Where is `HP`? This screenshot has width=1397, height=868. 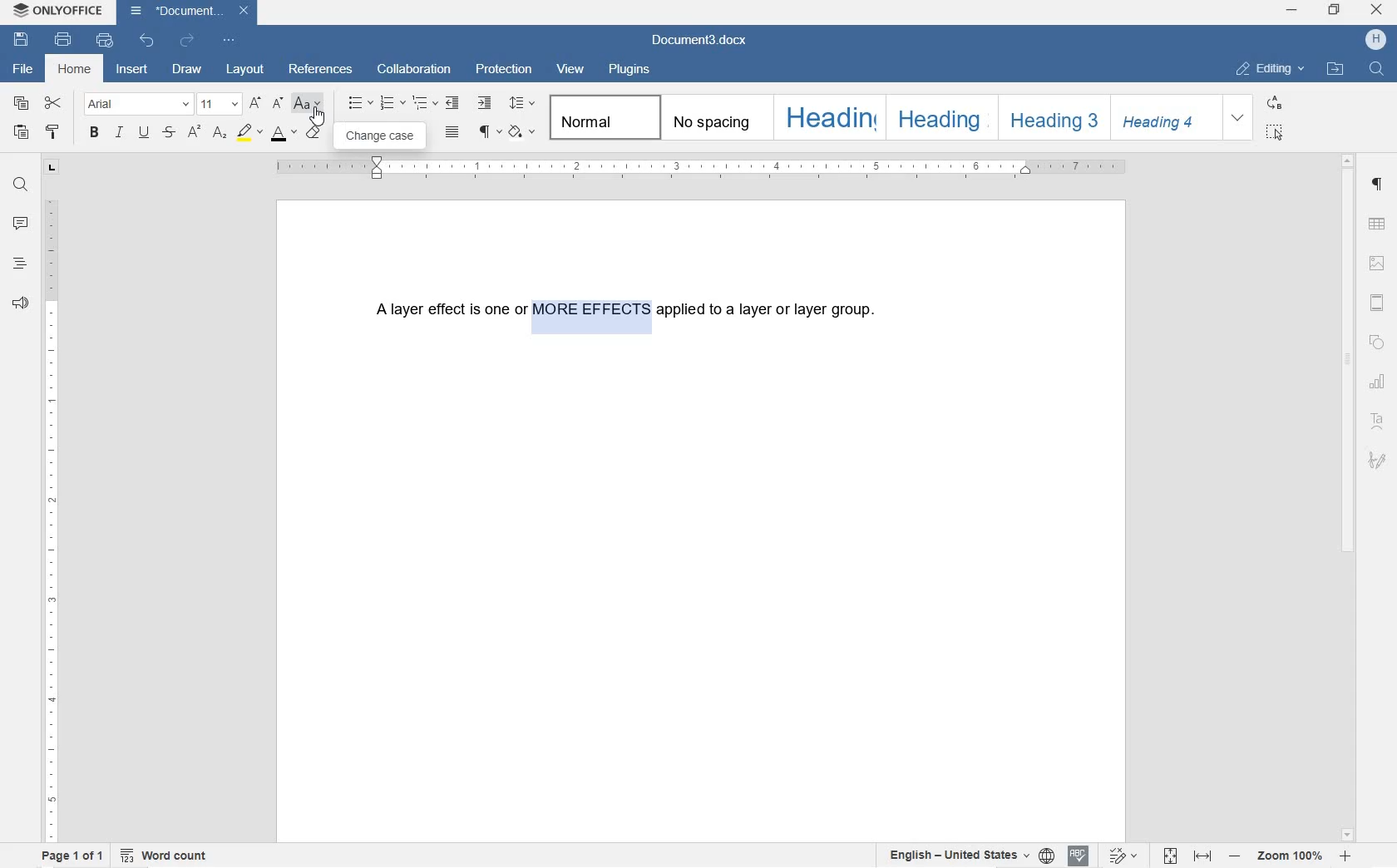
HP is located at coordinates (1378, 40).